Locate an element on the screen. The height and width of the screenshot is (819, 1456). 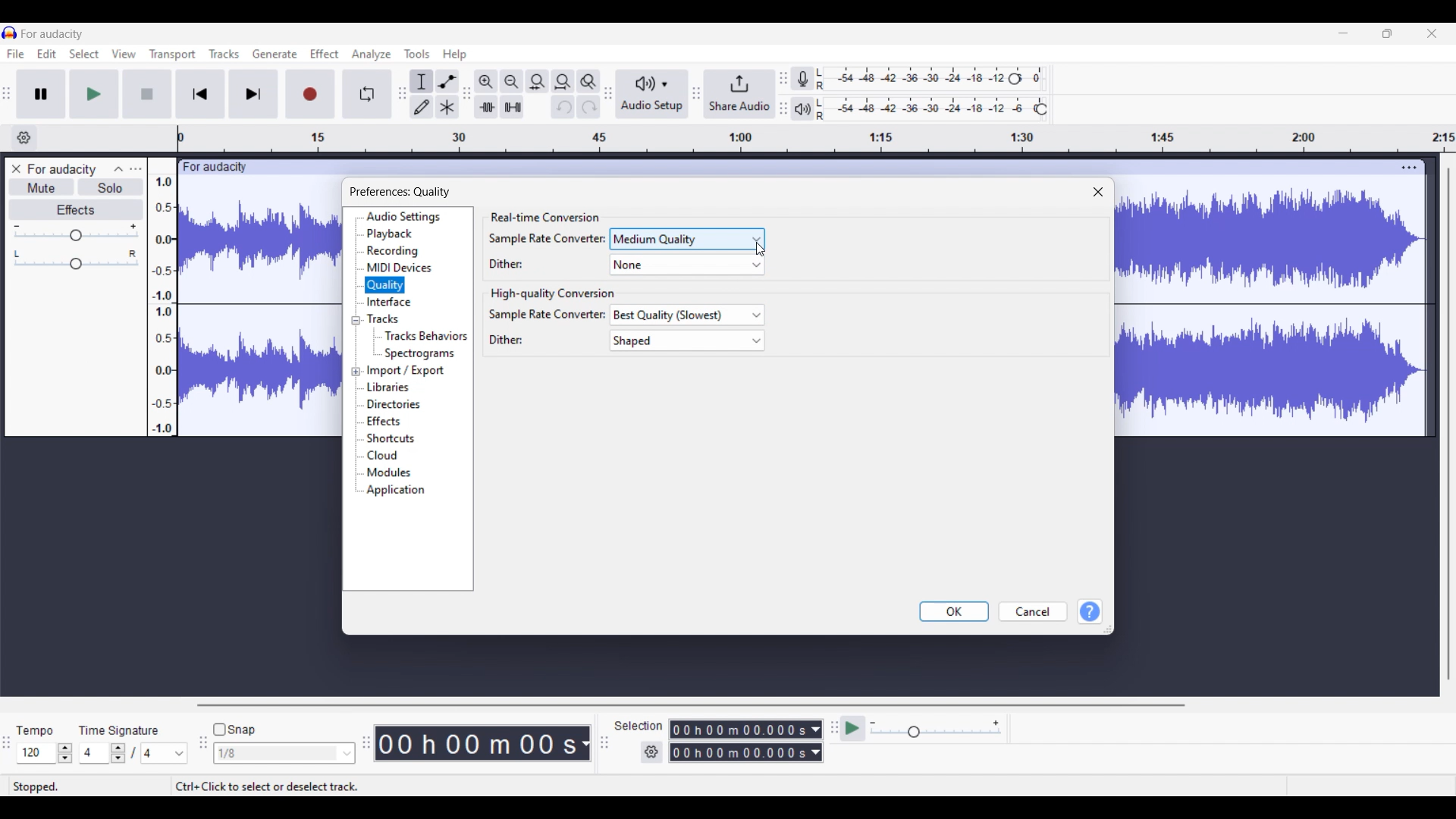
none is located at coordinates (682, 265).